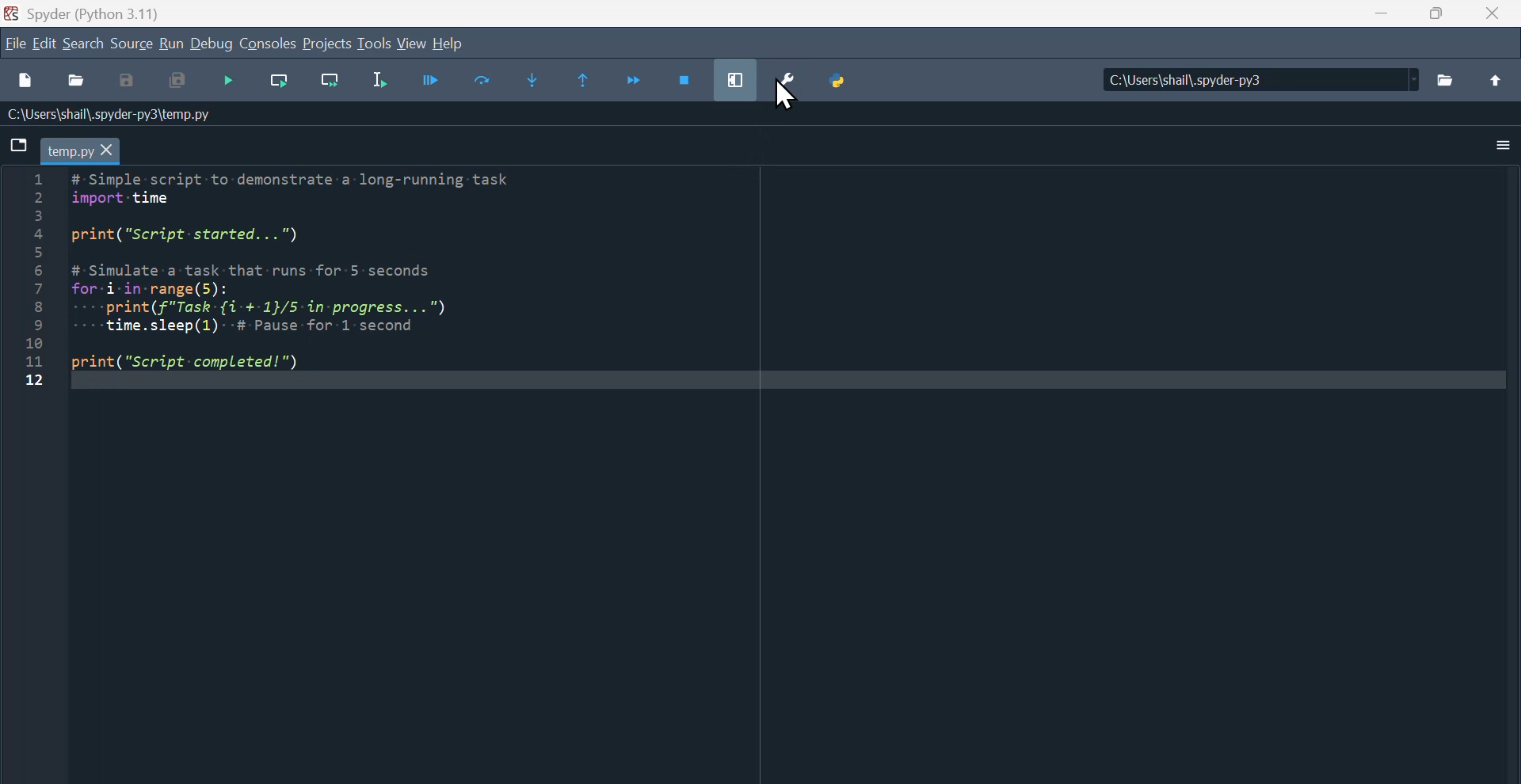 The height and width of the screenshot is (784, 1521). I want to click on Location of the file, so click(1261, 76).